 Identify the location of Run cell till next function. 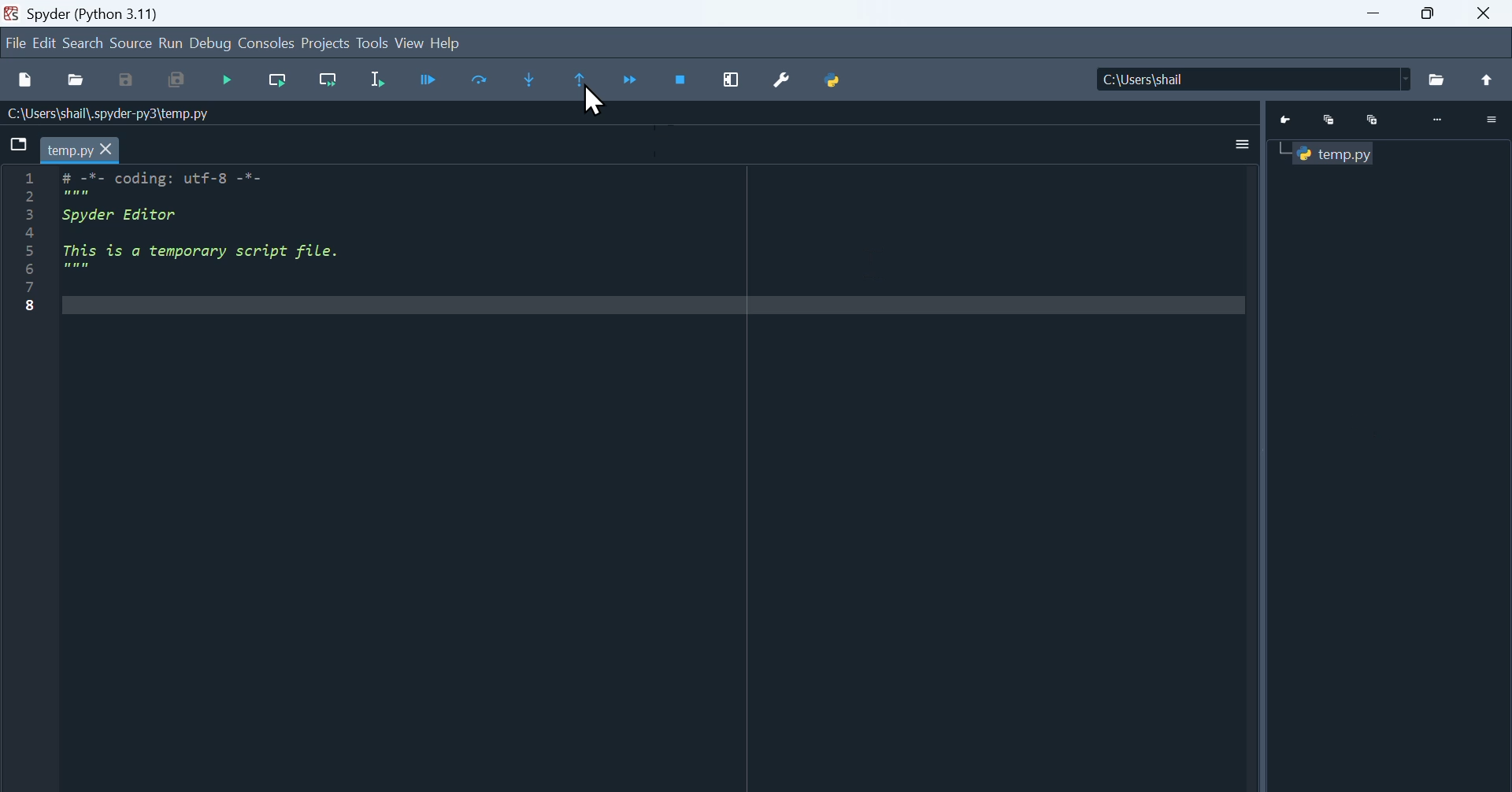
(328, 80).